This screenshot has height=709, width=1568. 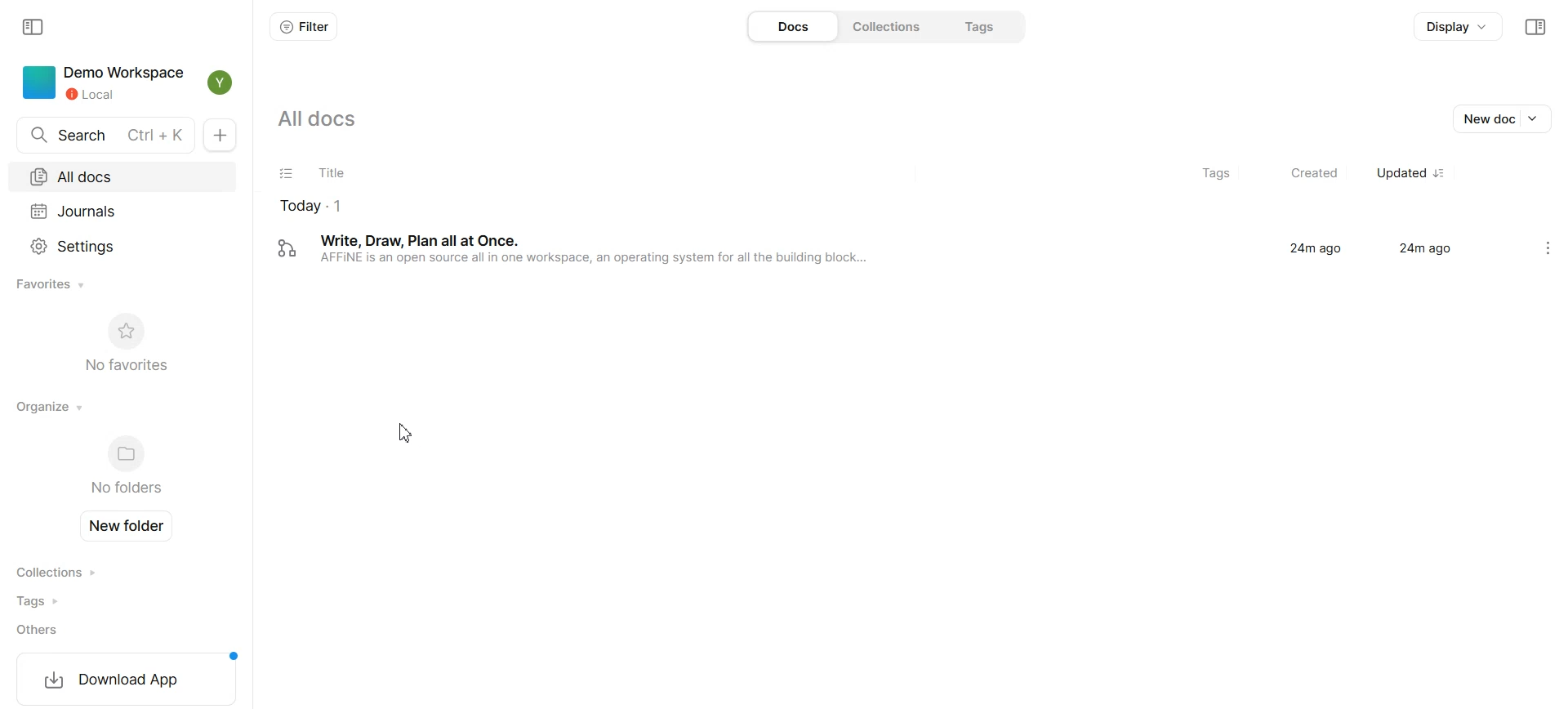 I want to click on Title, so click(x=453, y=174).